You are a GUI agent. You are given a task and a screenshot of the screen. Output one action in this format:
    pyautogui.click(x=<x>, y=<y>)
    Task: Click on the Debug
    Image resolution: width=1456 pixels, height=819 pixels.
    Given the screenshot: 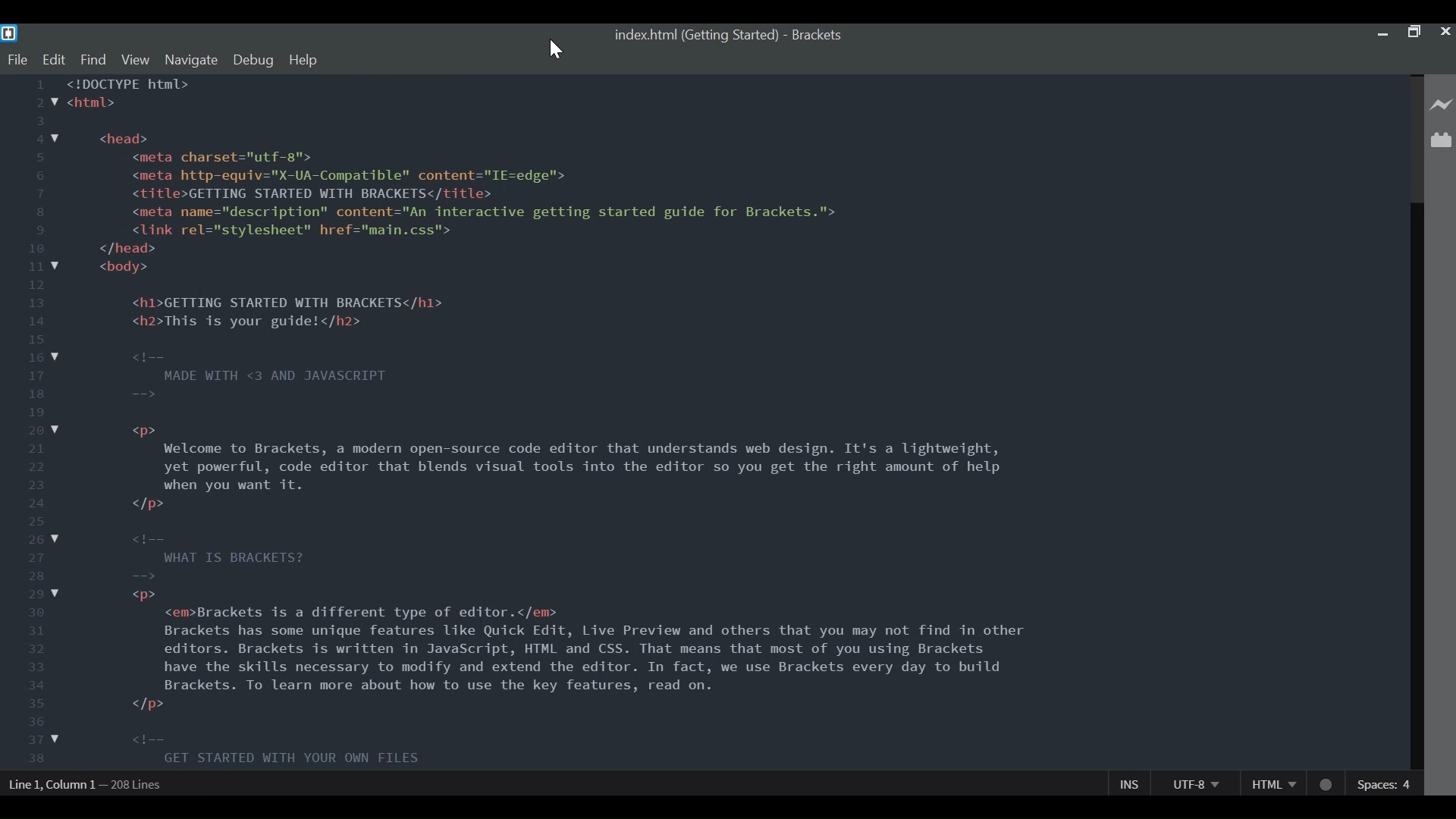 What is the action you would take?
    pyautogui.click(x=254, y=61)
    